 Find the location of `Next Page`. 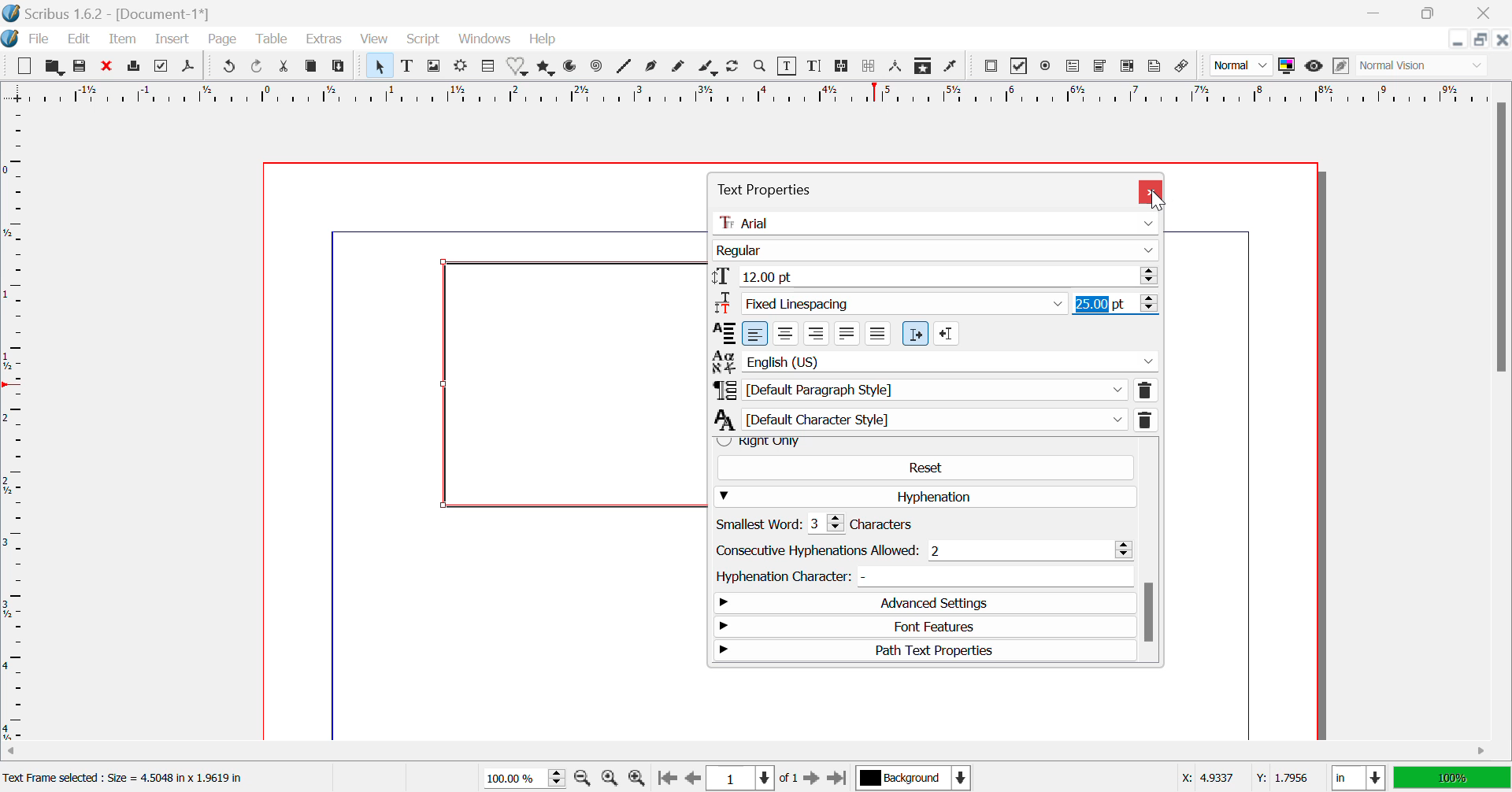

Next Page is located at coordinates (813, 777).